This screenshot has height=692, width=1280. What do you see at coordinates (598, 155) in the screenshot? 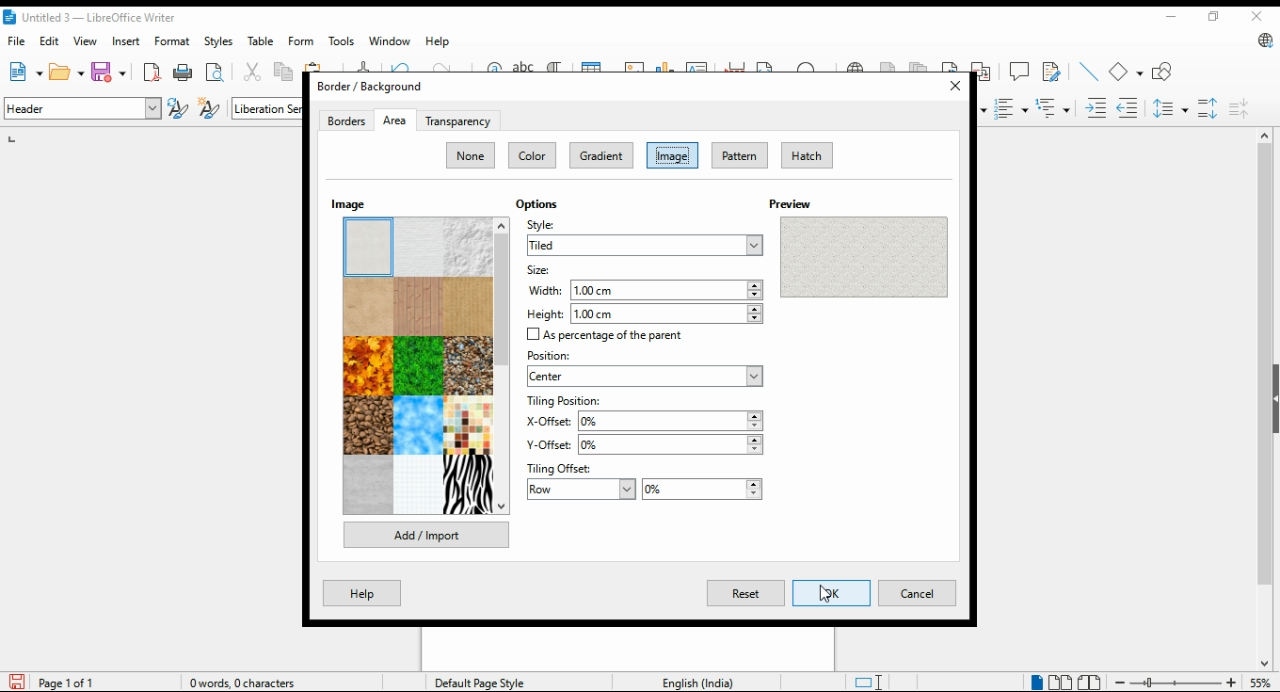
I see `gradient` at bounding box center [598, 155].